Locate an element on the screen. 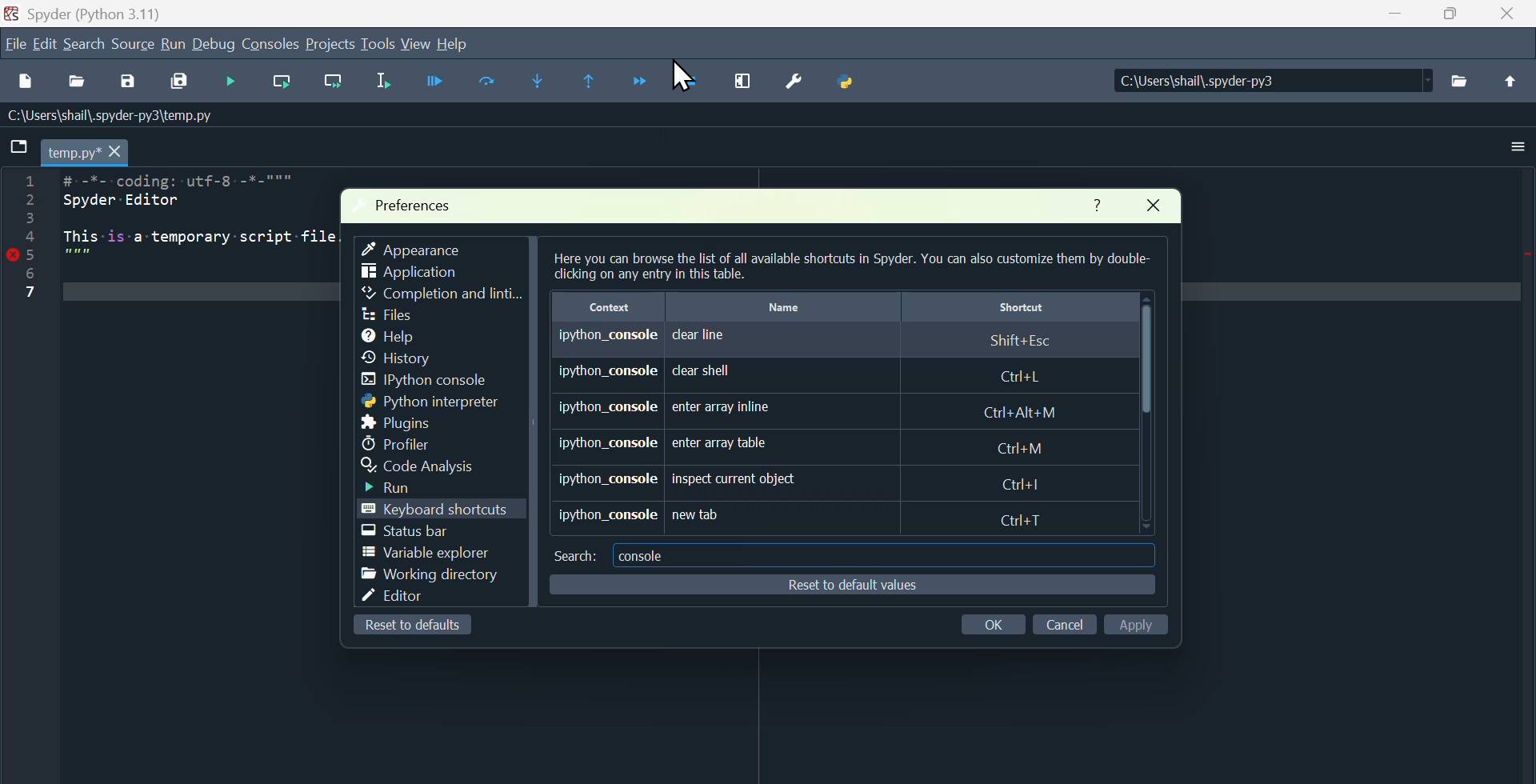 The image size is (1536, 784). Step in to function is located at coordinates (549, 81).